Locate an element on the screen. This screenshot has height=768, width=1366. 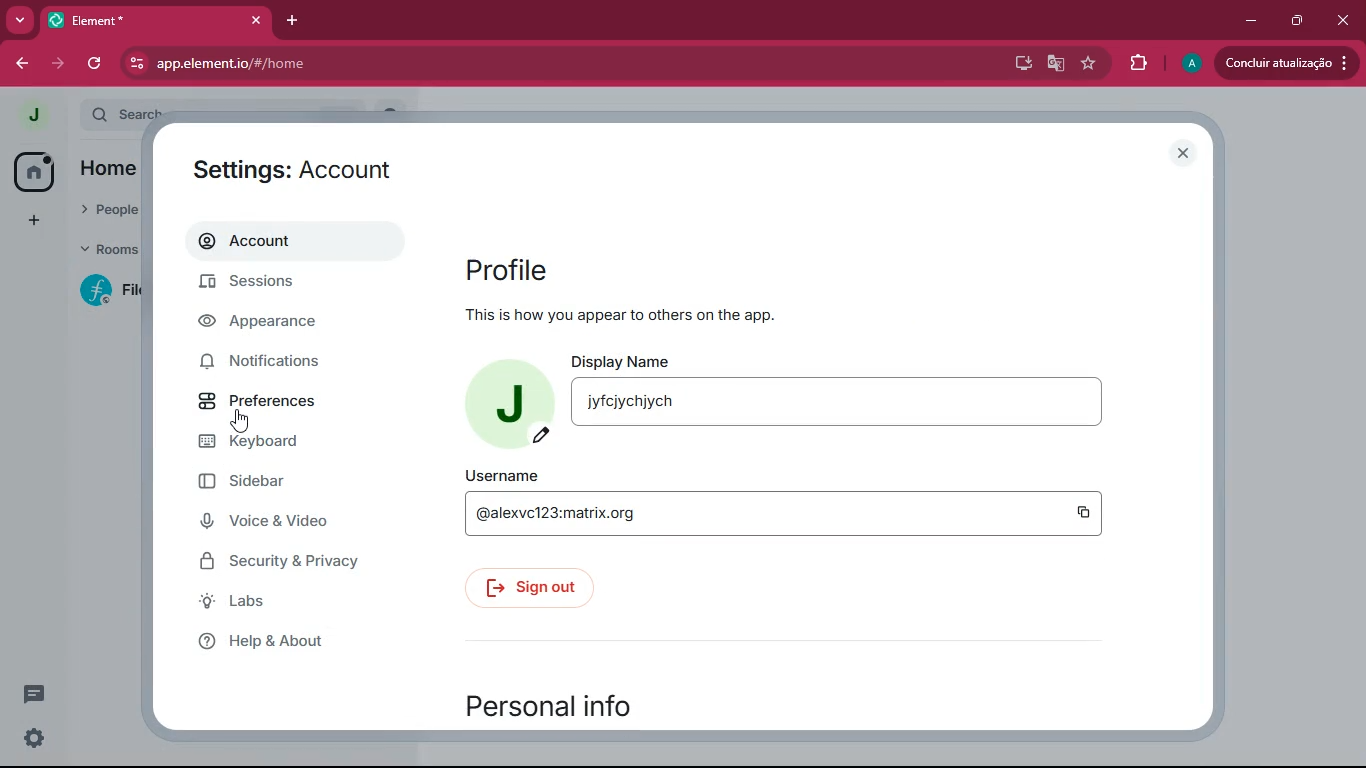
labs is located at coordinates (270, 603).